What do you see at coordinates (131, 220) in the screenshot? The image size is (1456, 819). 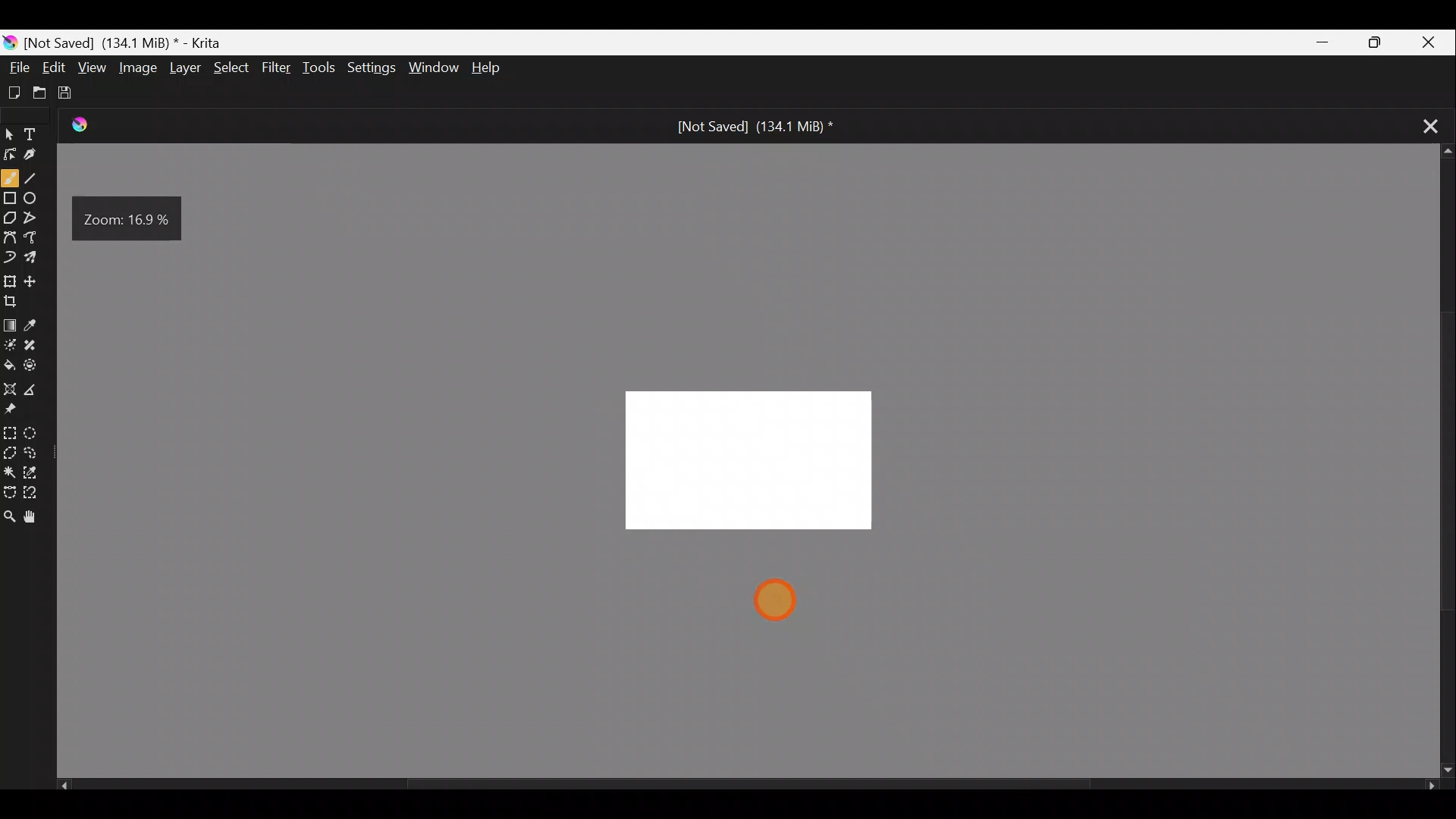 I see `Zoom: 16.9%` at bounding box center [131, 220].